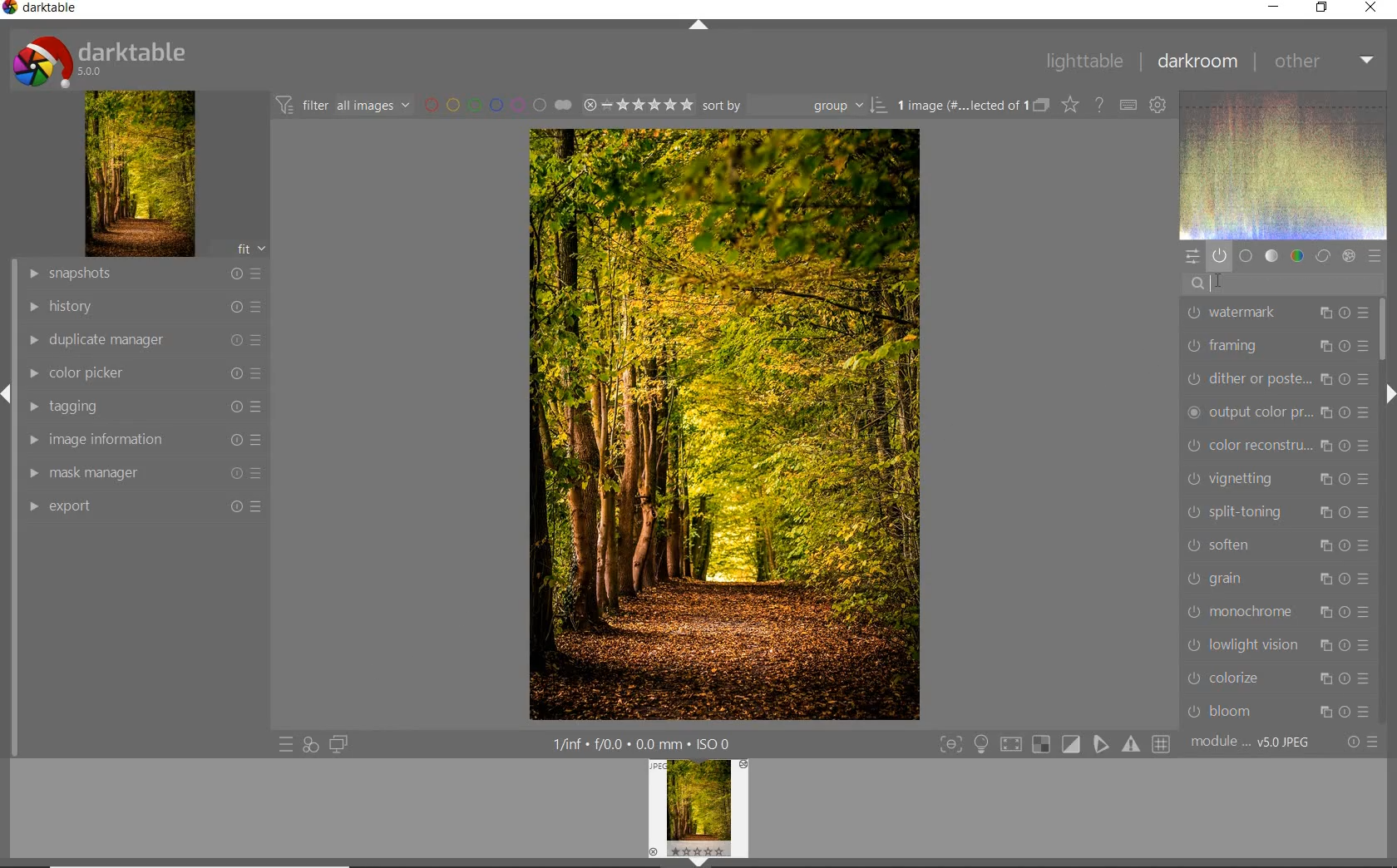 The height and width of the screenshot is (868, 1397). I want to click on mask manager, so click(146, 473).